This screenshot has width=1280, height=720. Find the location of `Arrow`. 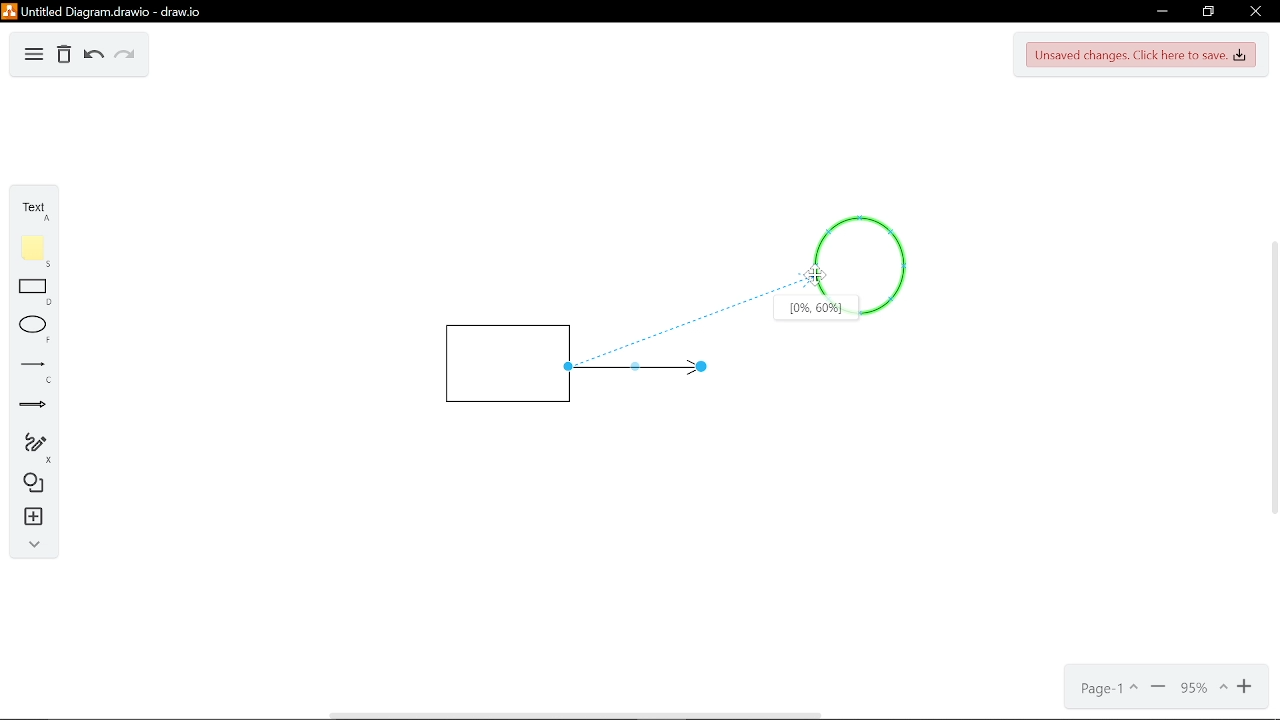

Arrow is located at coordinates (28, 407).